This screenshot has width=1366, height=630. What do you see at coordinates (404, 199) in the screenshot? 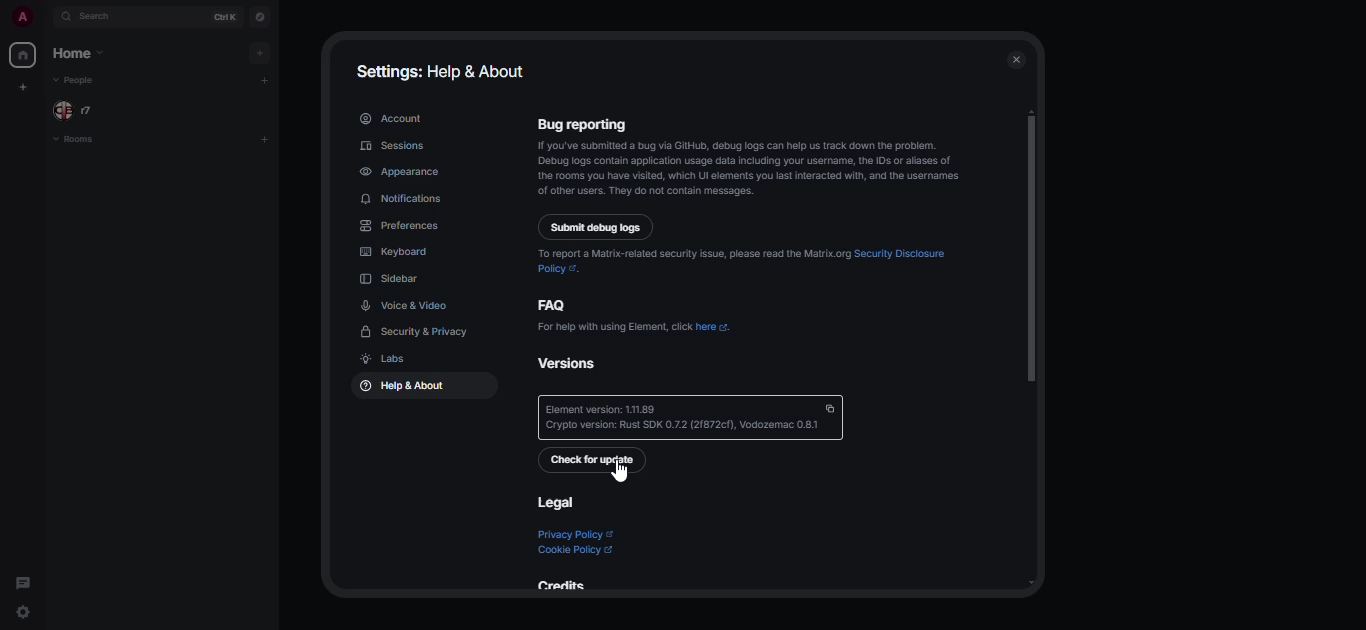
I see `notifications` at bounding box center [404, 199].